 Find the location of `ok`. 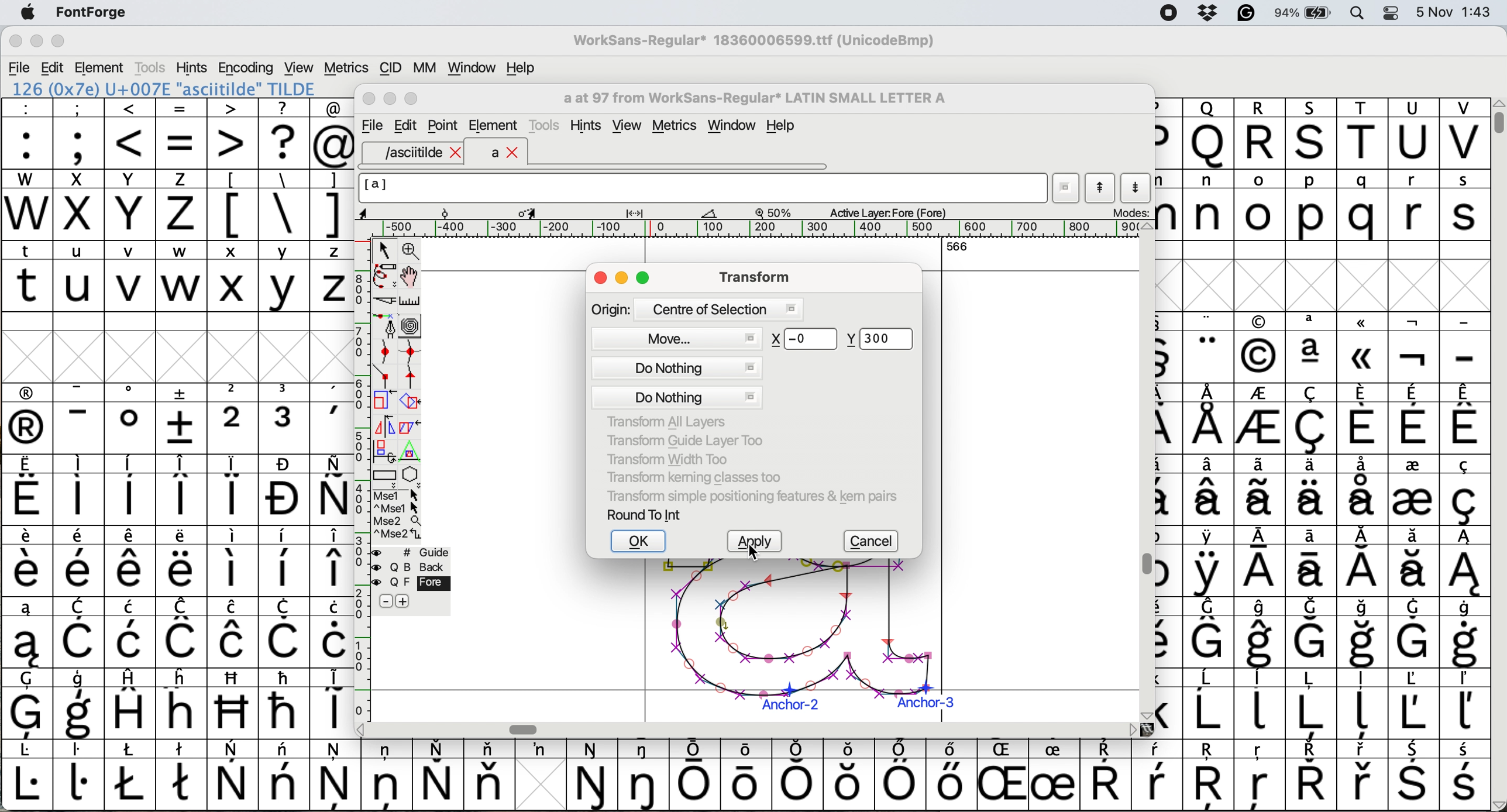

ok is located at coordinates (640, 542).